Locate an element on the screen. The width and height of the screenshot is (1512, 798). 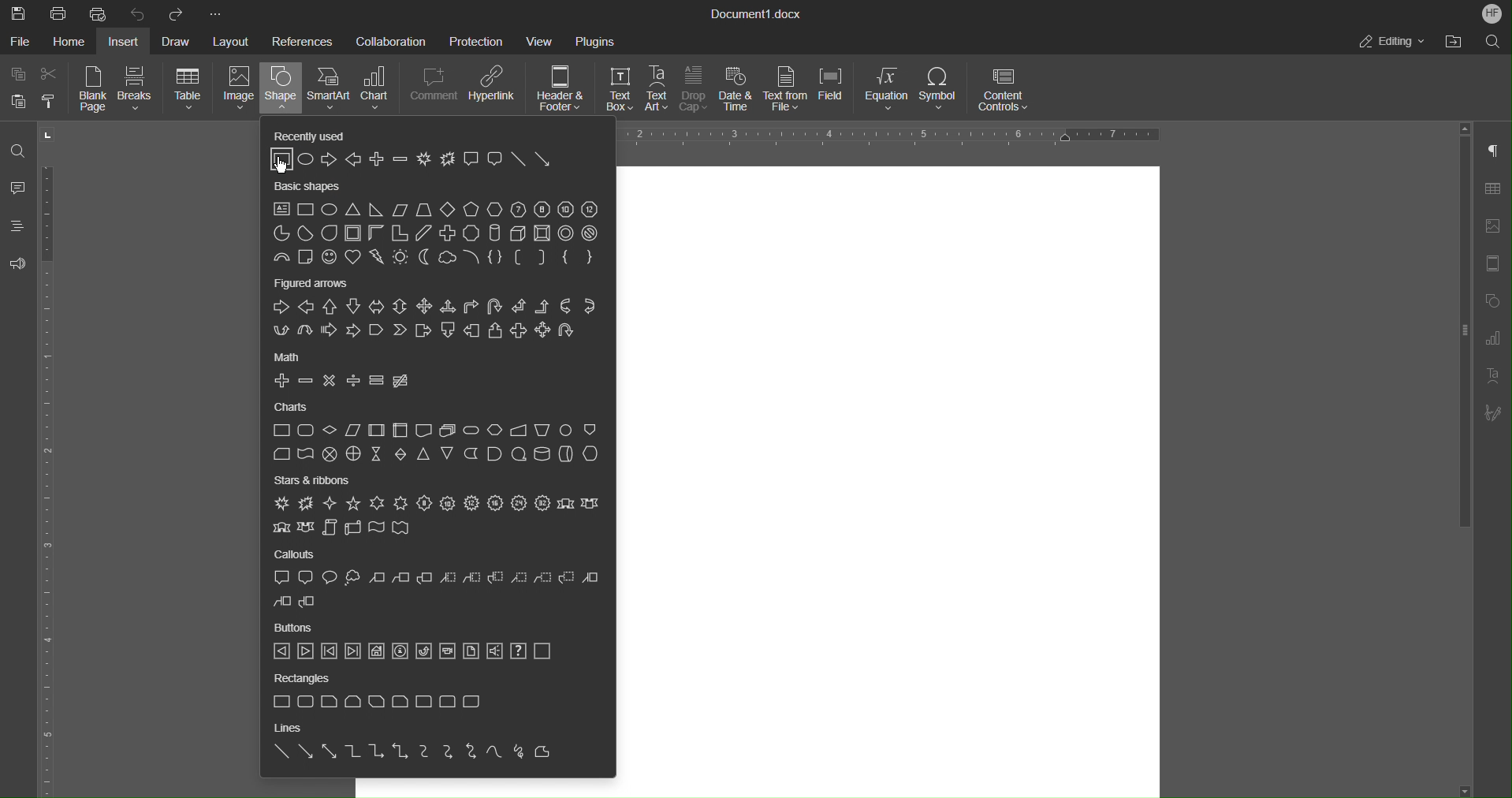
Text Box is located at coordinates (614, 91).